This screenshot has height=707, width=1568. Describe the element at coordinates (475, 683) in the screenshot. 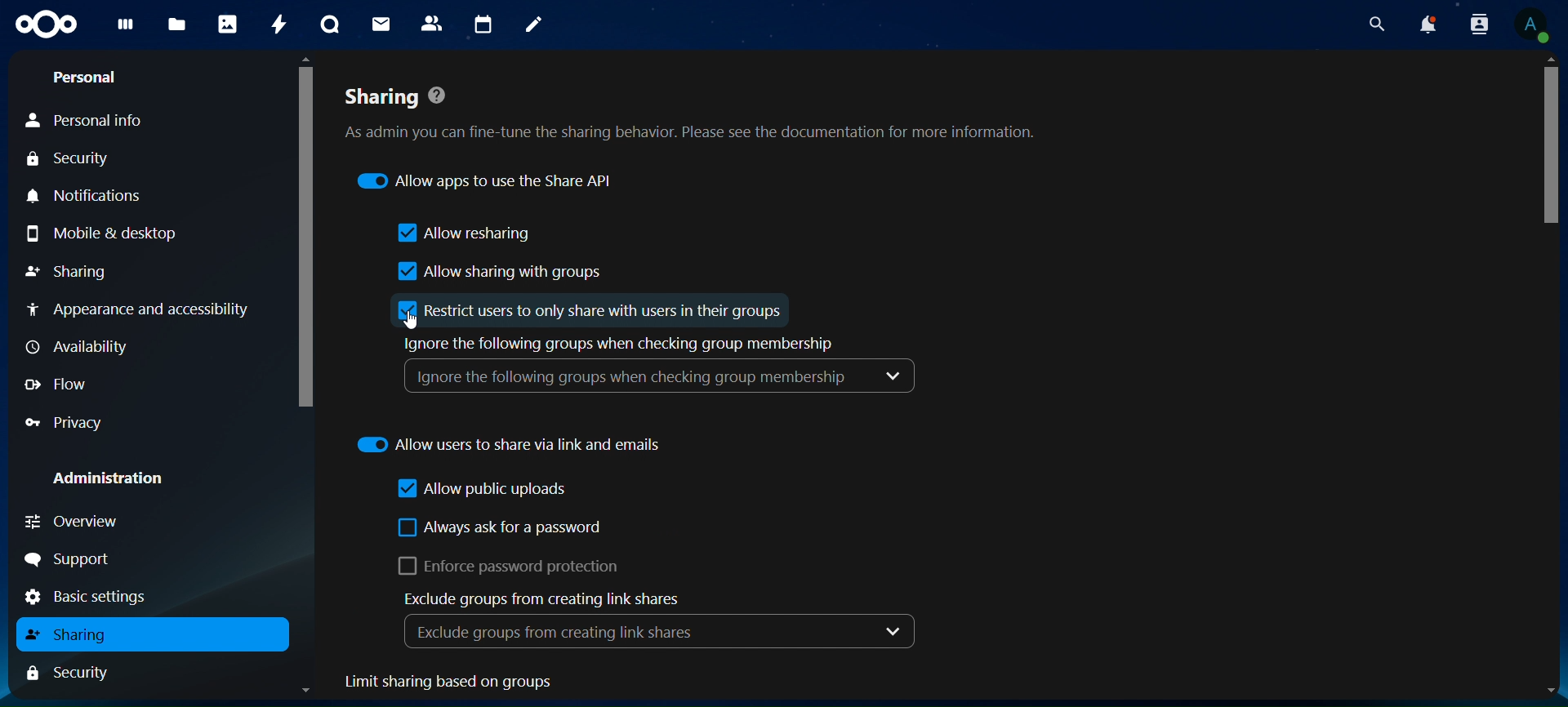

I see `limit sharing based on groups` at that location.